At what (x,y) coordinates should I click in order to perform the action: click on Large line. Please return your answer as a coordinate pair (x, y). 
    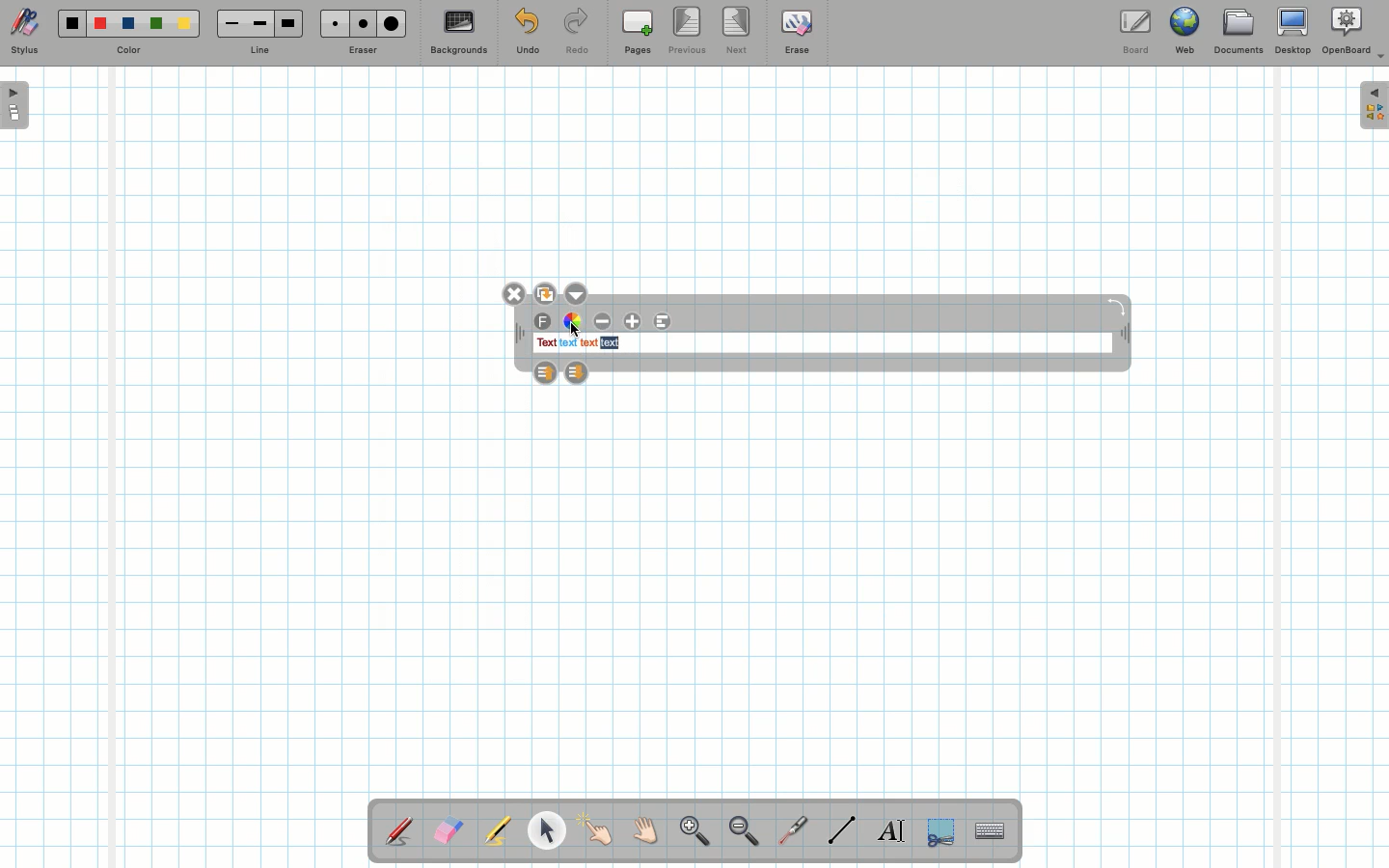
    Looking at the image, I should click on (289, 23).